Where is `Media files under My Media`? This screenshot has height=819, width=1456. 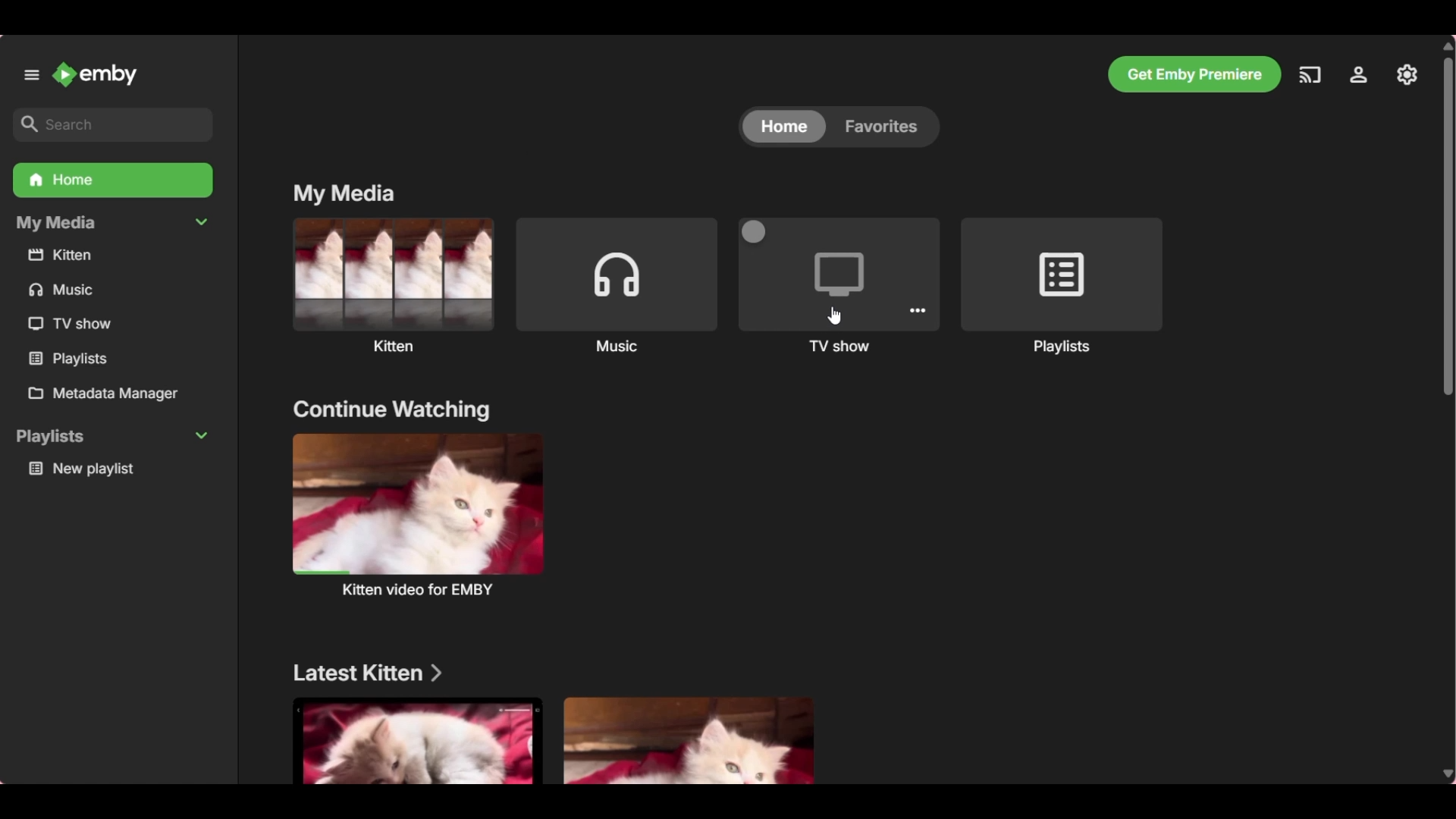 Media files under My Media is located at coordinates (115, 257).